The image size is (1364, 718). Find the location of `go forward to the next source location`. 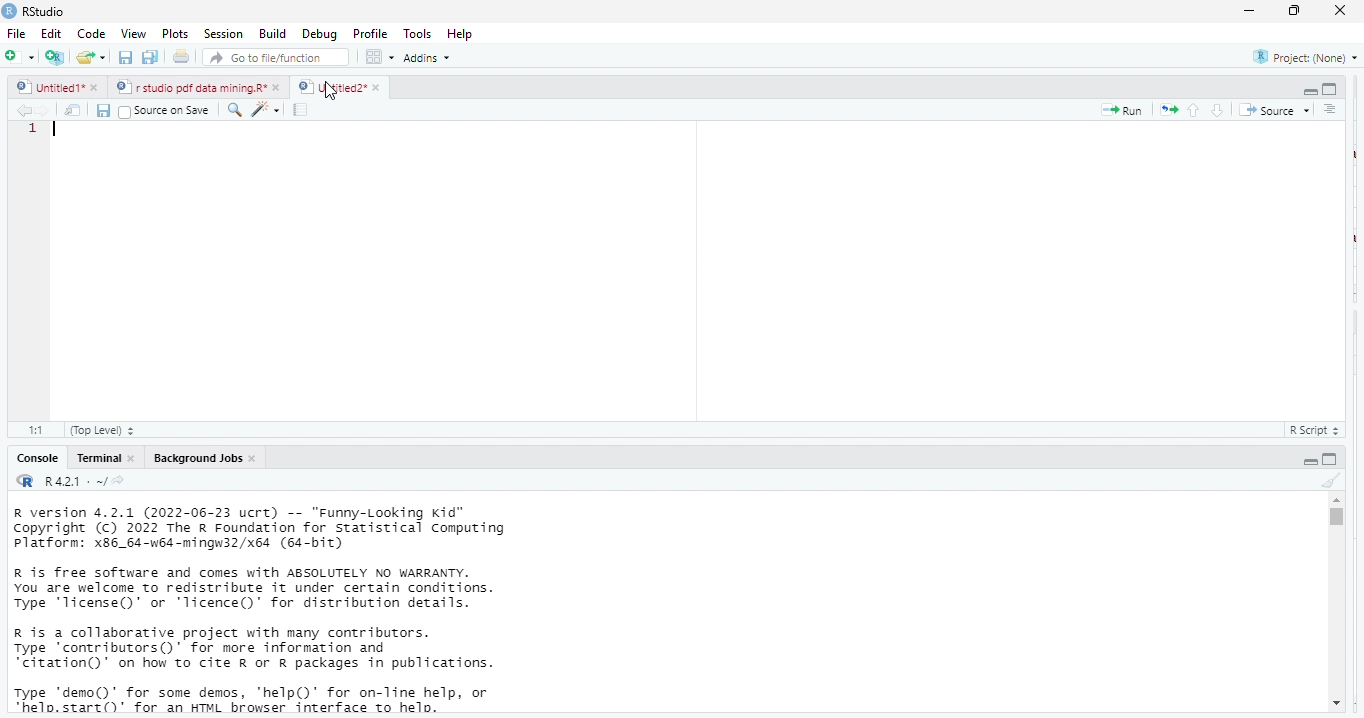

go forward to the next source location is located at coordinates (47, 110).